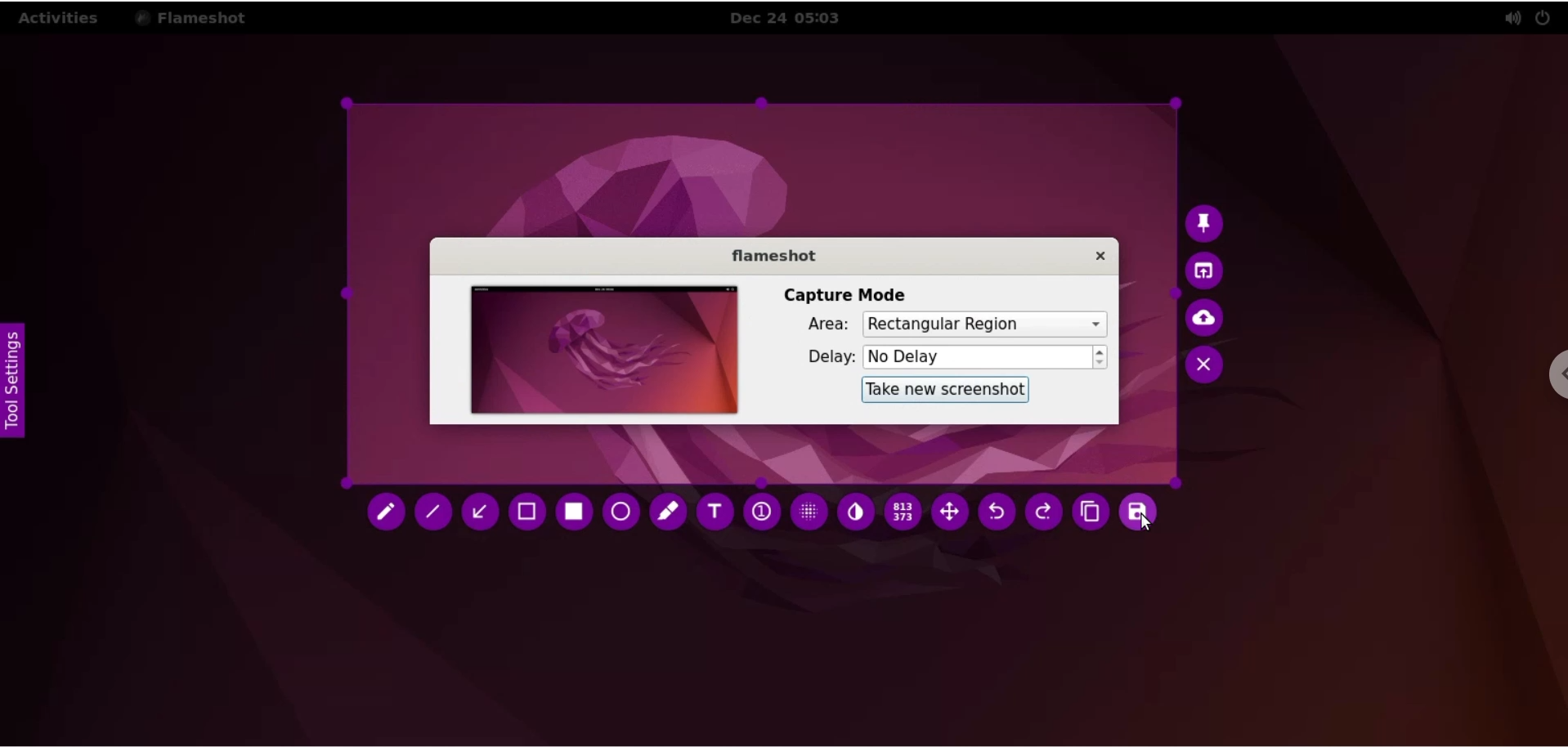 This screenshot has height=747, width=1568. What do you see at coordinates (385, 511) in the screenshot?
I see `pencil` at bounding box center [385, 511].